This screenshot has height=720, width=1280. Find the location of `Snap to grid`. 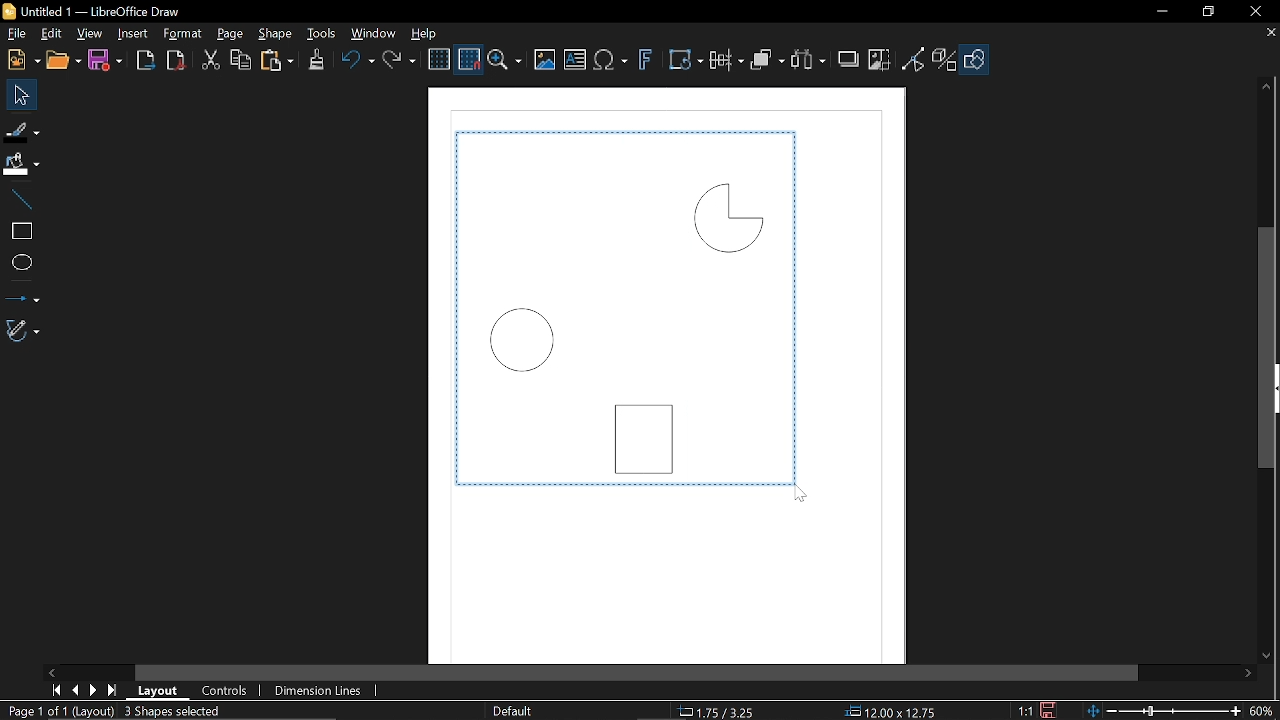

Snap to grid is located at coordinates (470, 59).